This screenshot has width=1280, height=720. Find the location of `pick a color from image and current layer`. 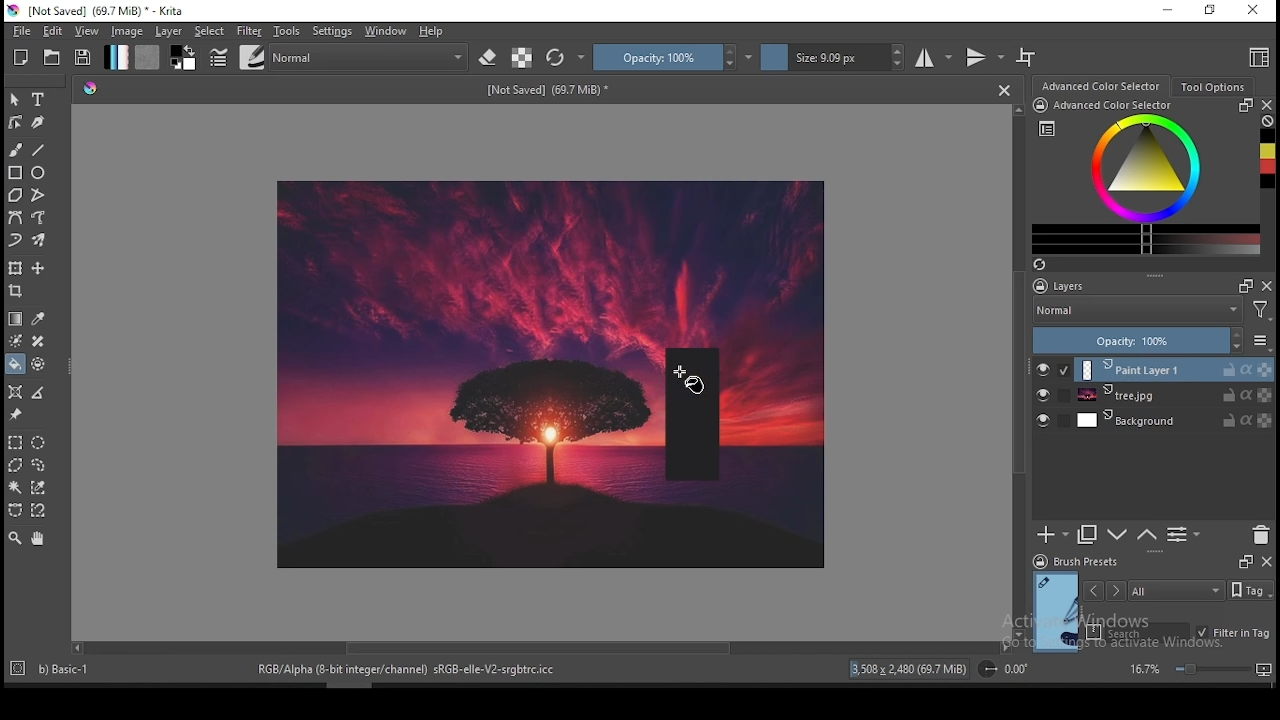

pick a color from image and current layer is located at coordinates (38, 318).